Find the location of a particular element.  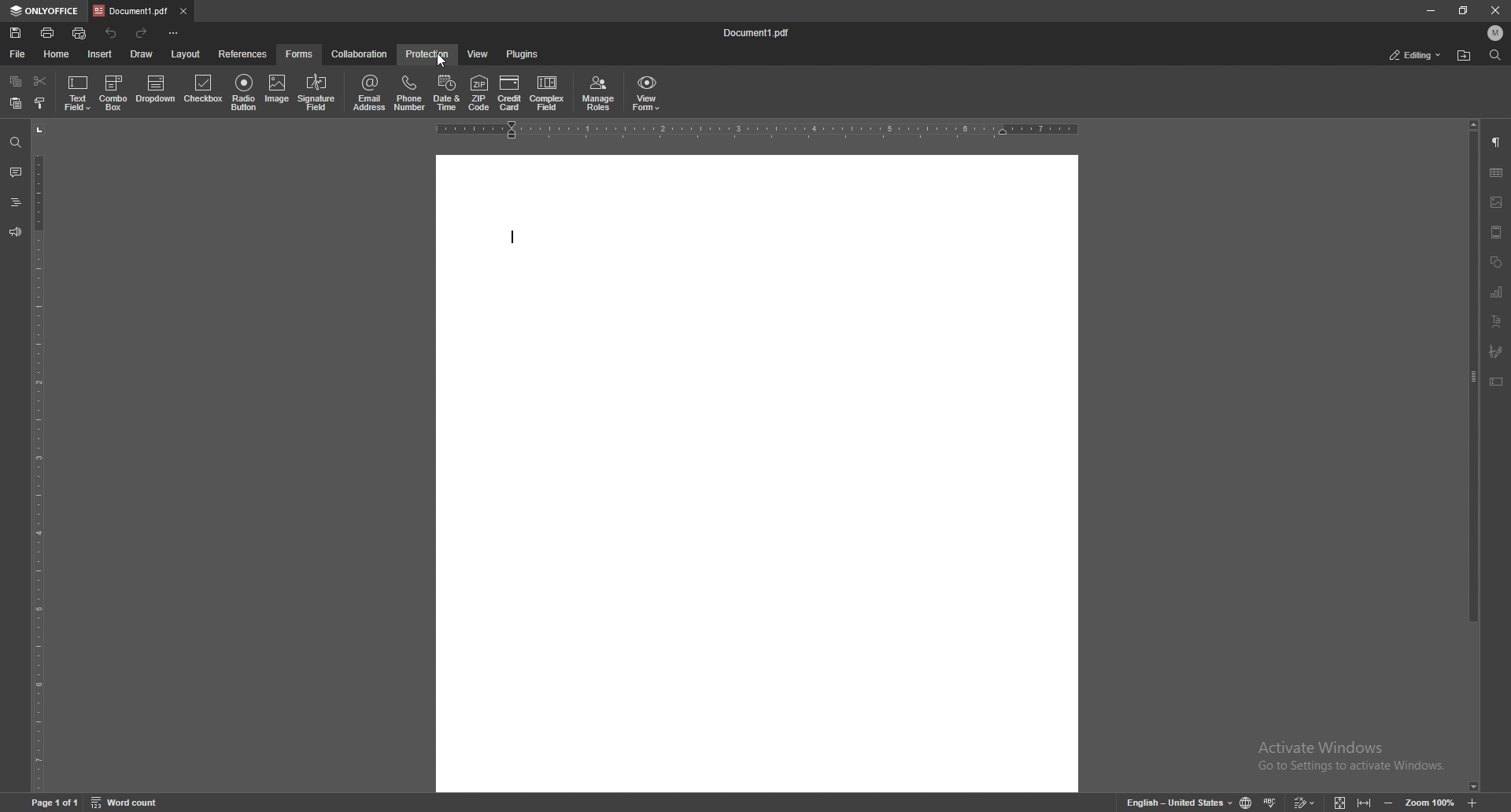

cursor is located at coordinates (441, 63).